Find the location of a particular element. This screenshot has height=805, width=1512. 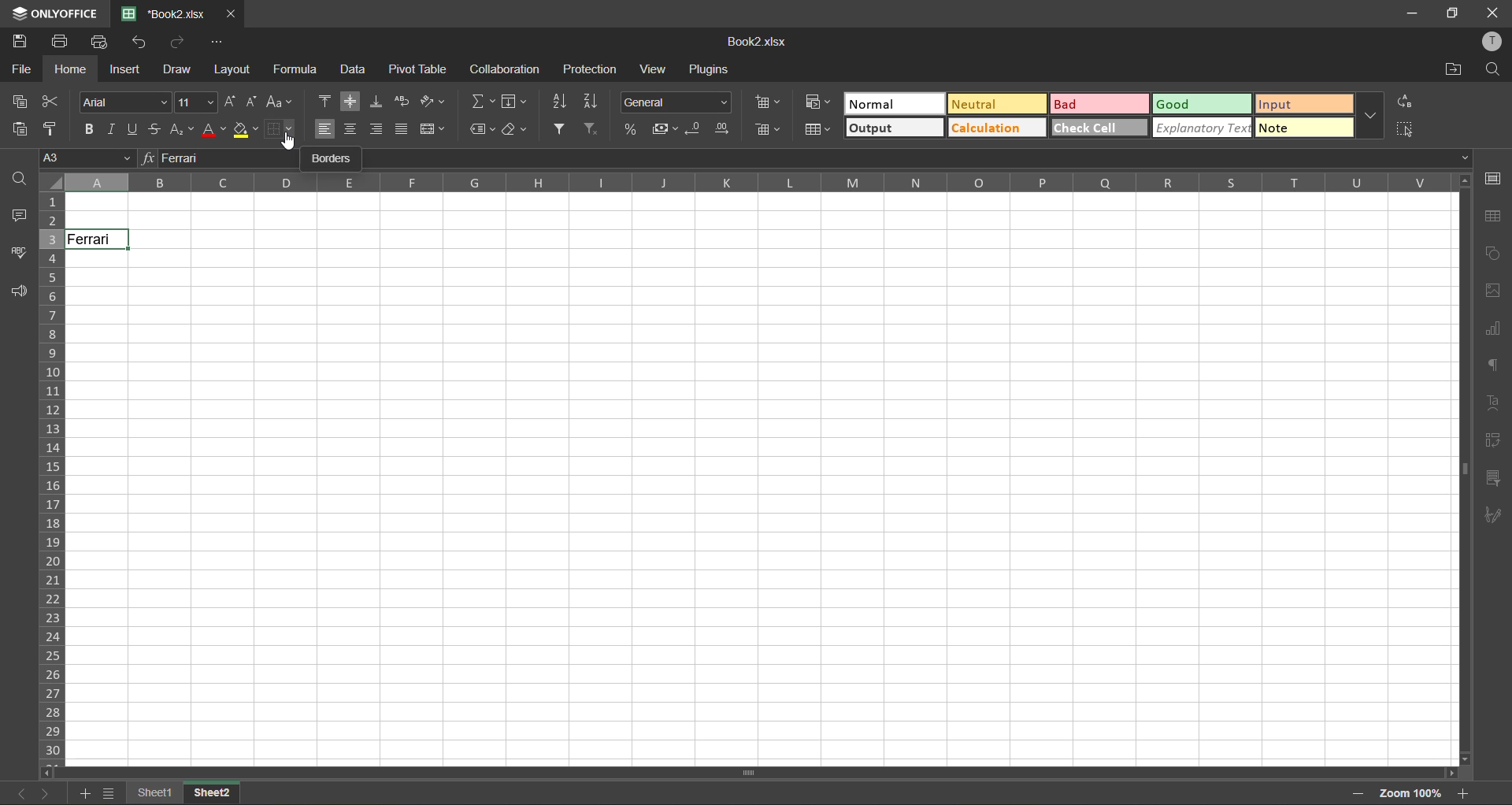

protection is located at coordinates (591, 69).